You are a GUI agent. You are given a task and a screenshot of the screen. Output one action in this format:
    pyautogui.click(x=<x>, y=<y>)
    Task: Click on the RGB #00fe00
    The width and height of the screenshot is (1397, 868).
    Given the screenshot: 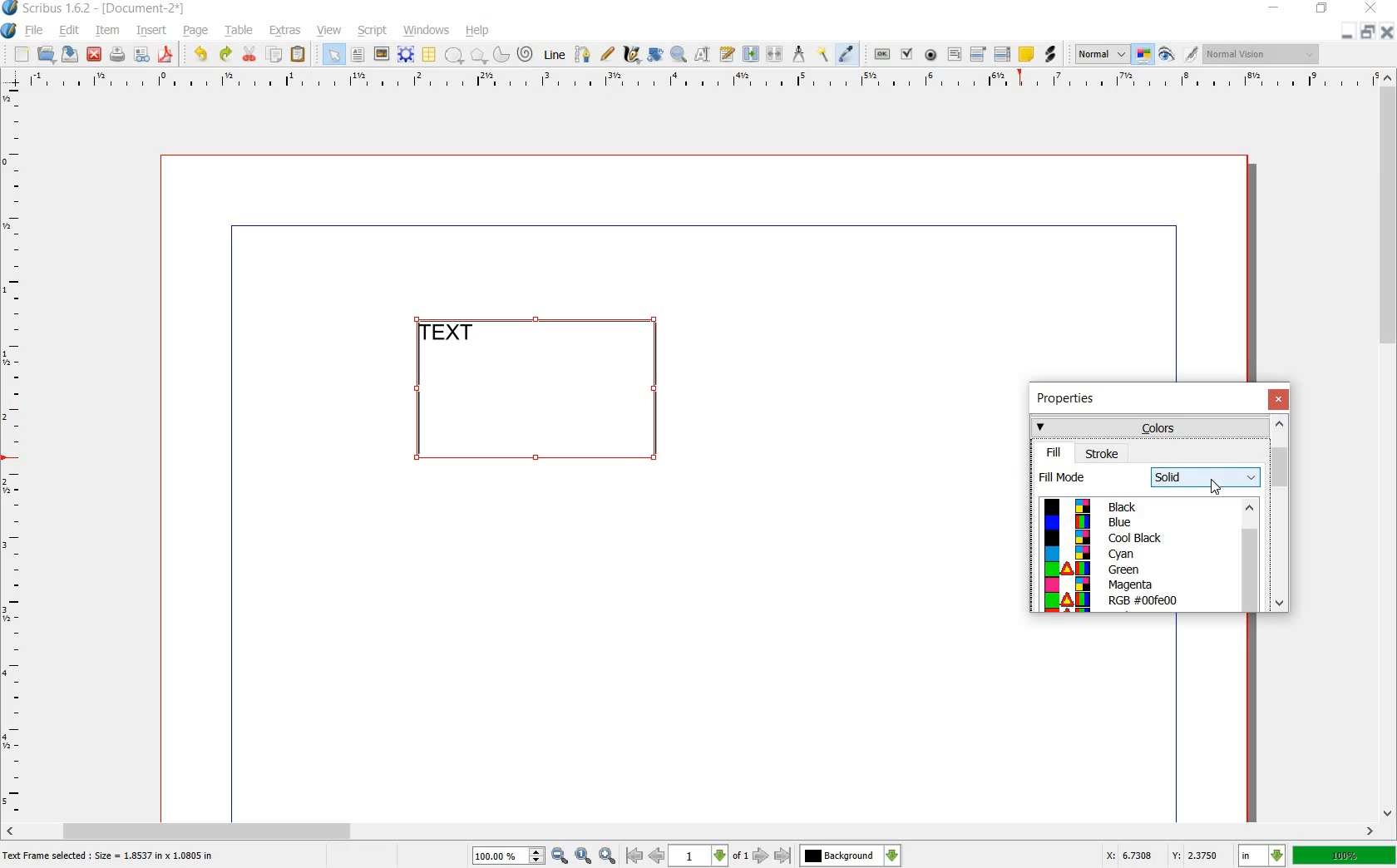 What is the action you would take?
    pyautogui.click(x=1146, y=600)
    